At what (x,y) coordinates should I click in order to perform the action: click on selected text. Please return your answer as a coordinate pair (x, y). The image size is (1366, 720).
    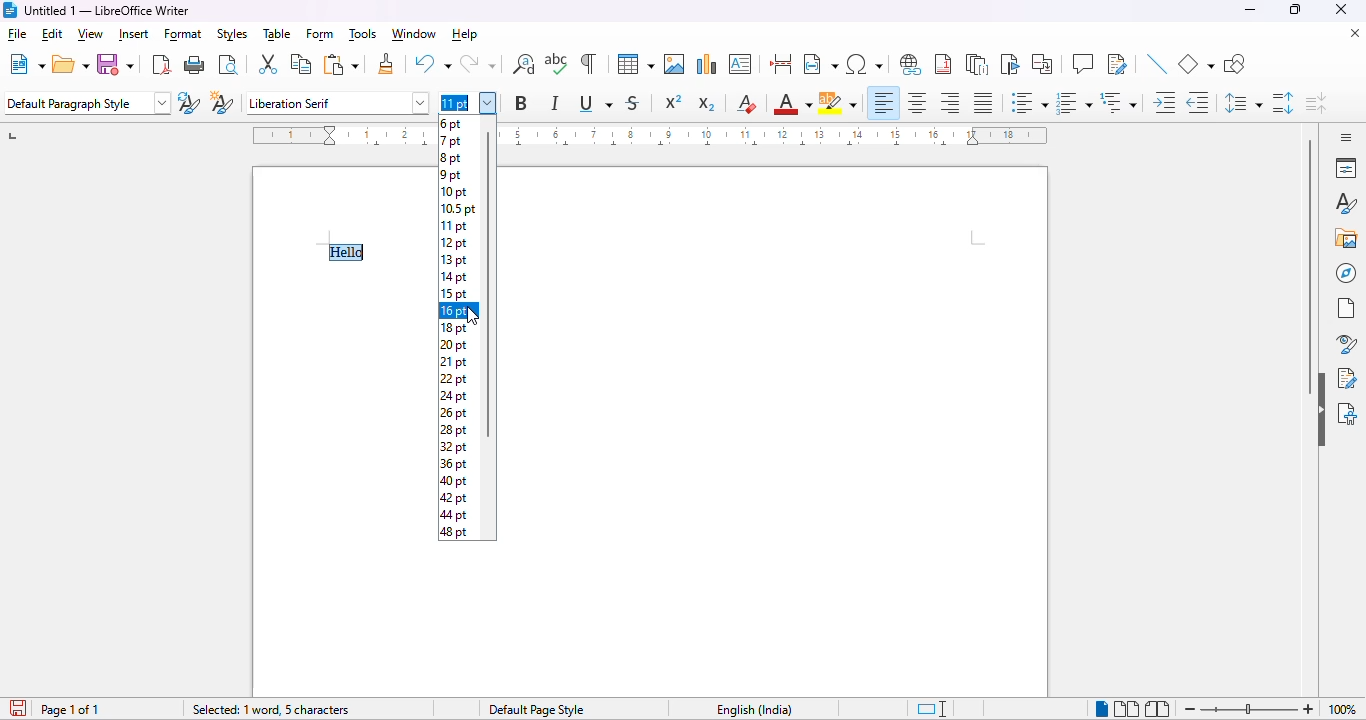
    Looking at the image, I should click on (345, 251).